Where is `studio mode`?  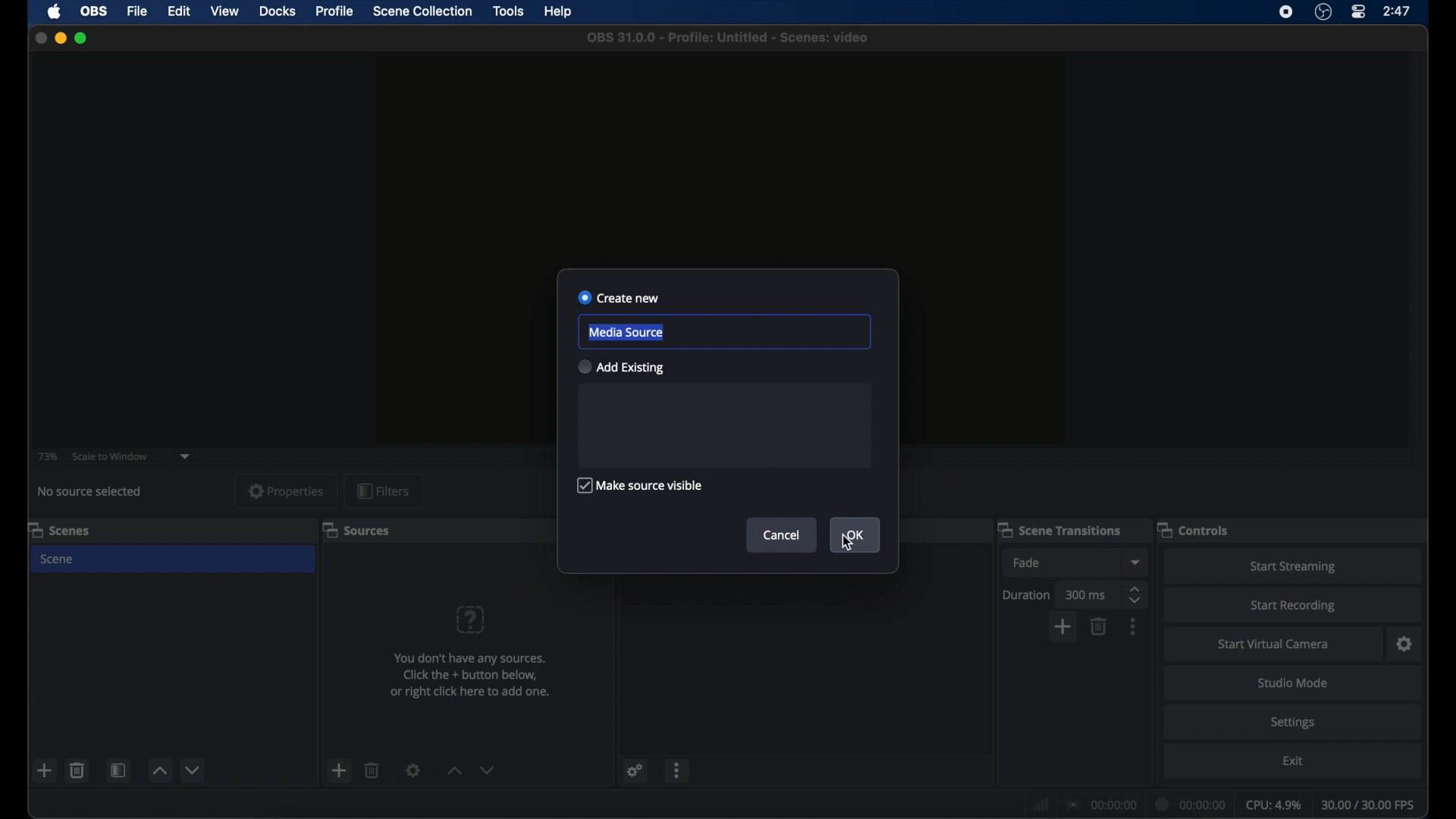
studio mode is located at coordinates (1293, 684).